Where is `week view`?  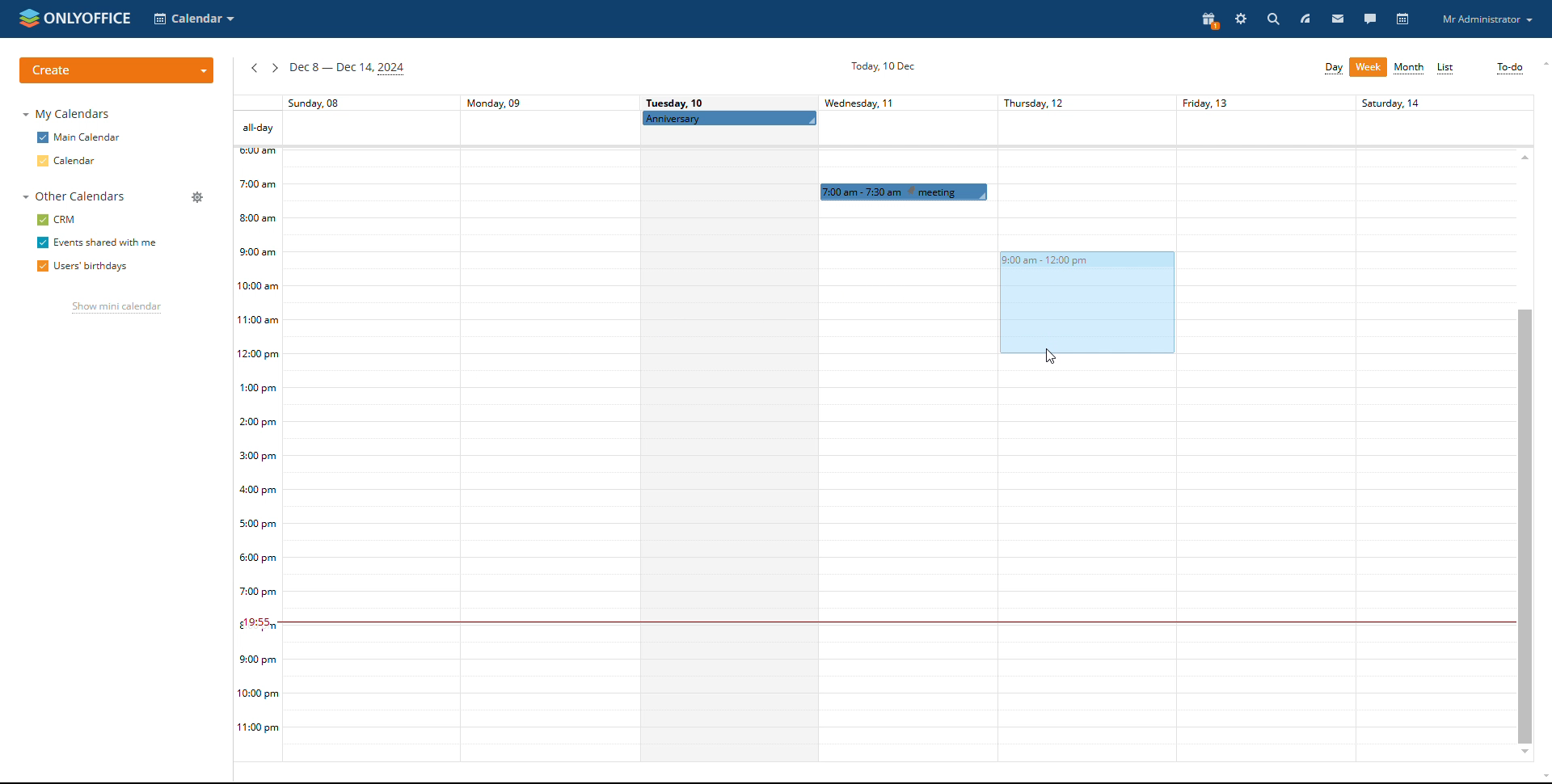
week view is located at coordinates (1369, 67).